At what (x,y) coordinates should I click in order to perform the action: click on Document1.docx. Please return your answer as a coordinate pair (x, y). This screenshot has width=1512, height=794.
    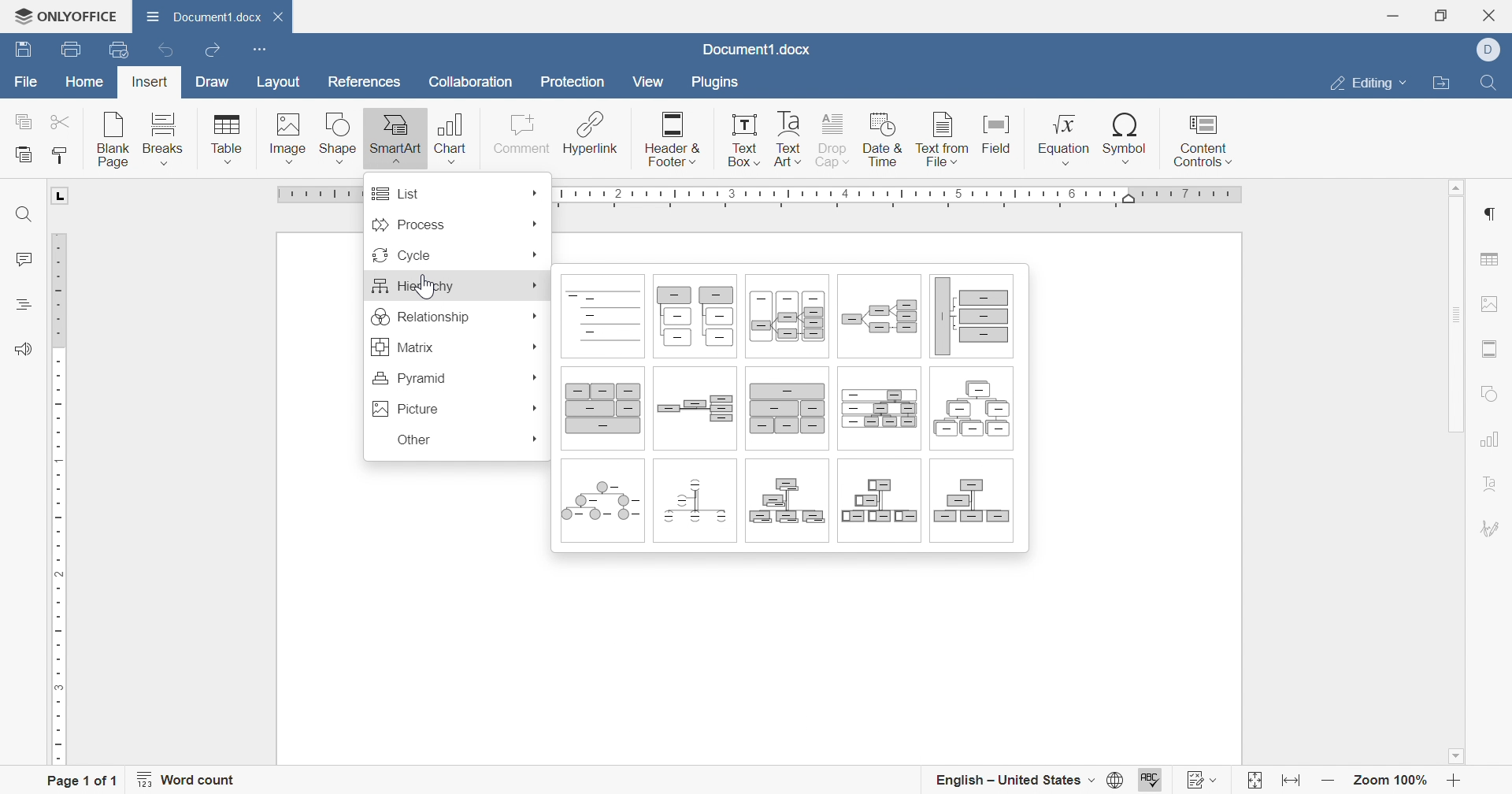
    Looking at the image, I should click on (206, 20).